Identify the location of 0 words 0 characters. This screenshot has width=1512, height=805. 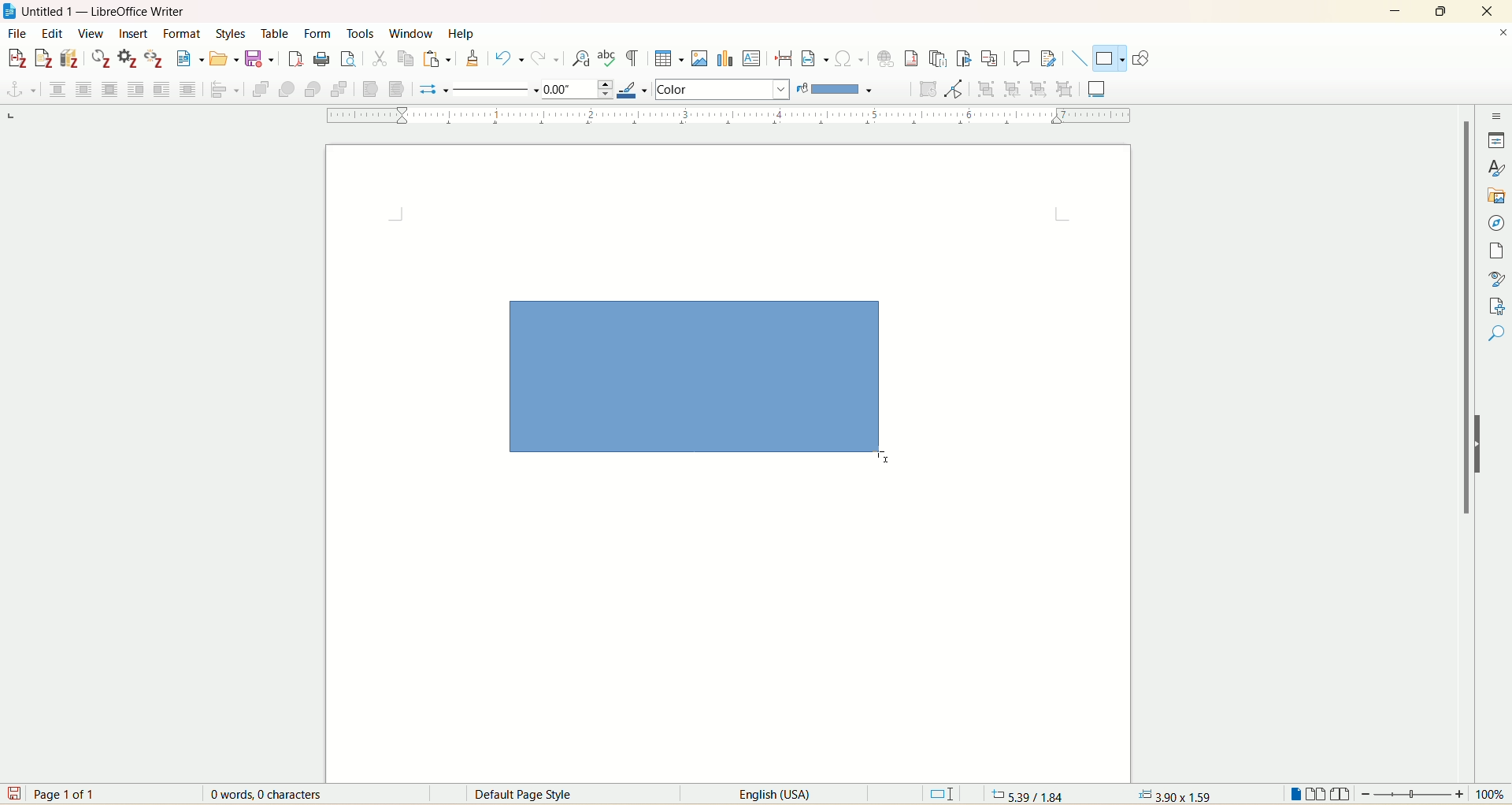
(276, 794).